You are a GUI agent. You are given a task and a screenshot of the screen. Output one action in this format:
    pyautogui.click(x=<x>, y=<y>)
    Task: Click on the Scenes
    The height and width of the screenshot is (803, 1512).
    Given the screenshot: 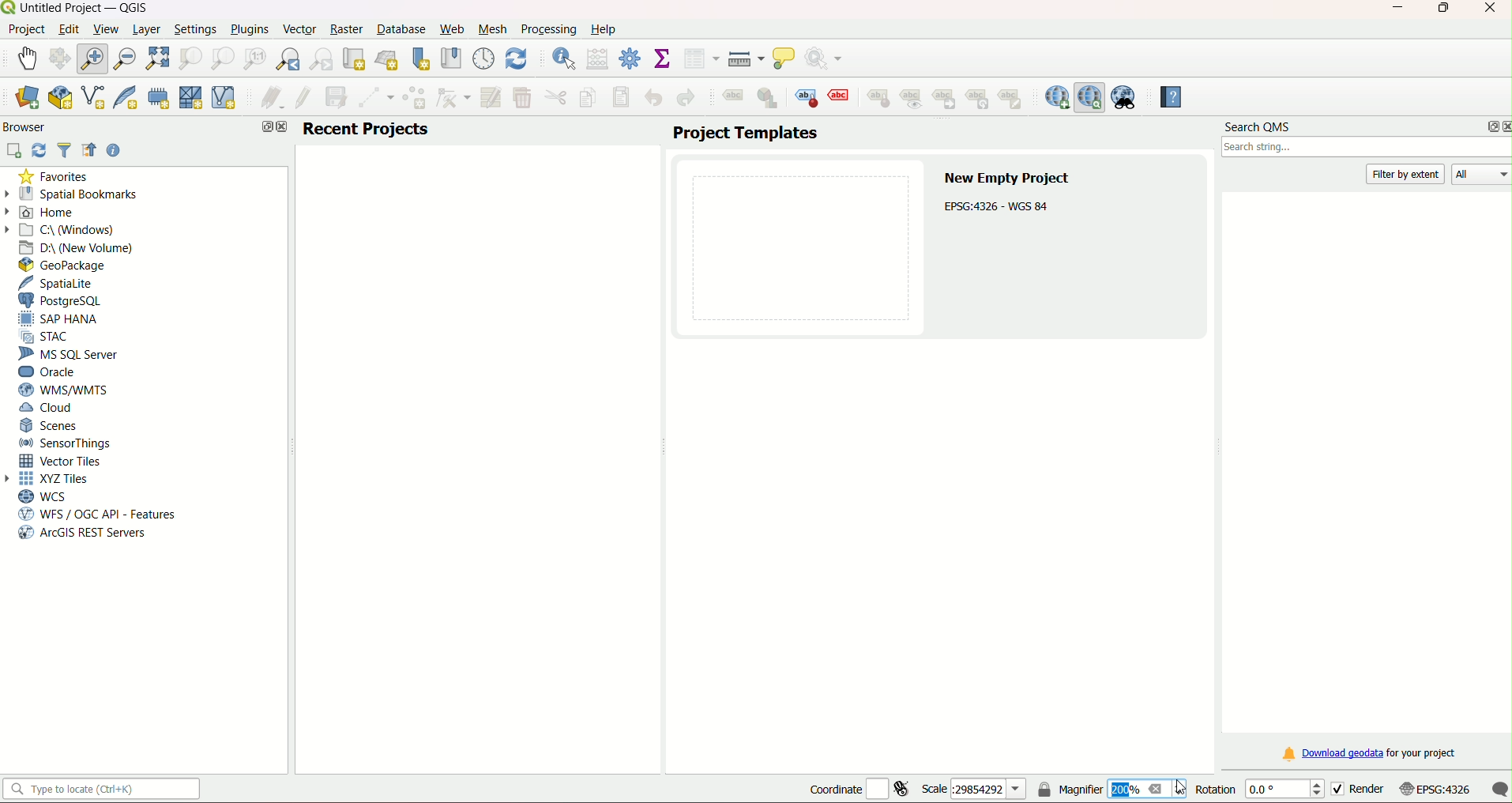 What is the action you would take?
    pyautogui.click(x=51, y=425)
    